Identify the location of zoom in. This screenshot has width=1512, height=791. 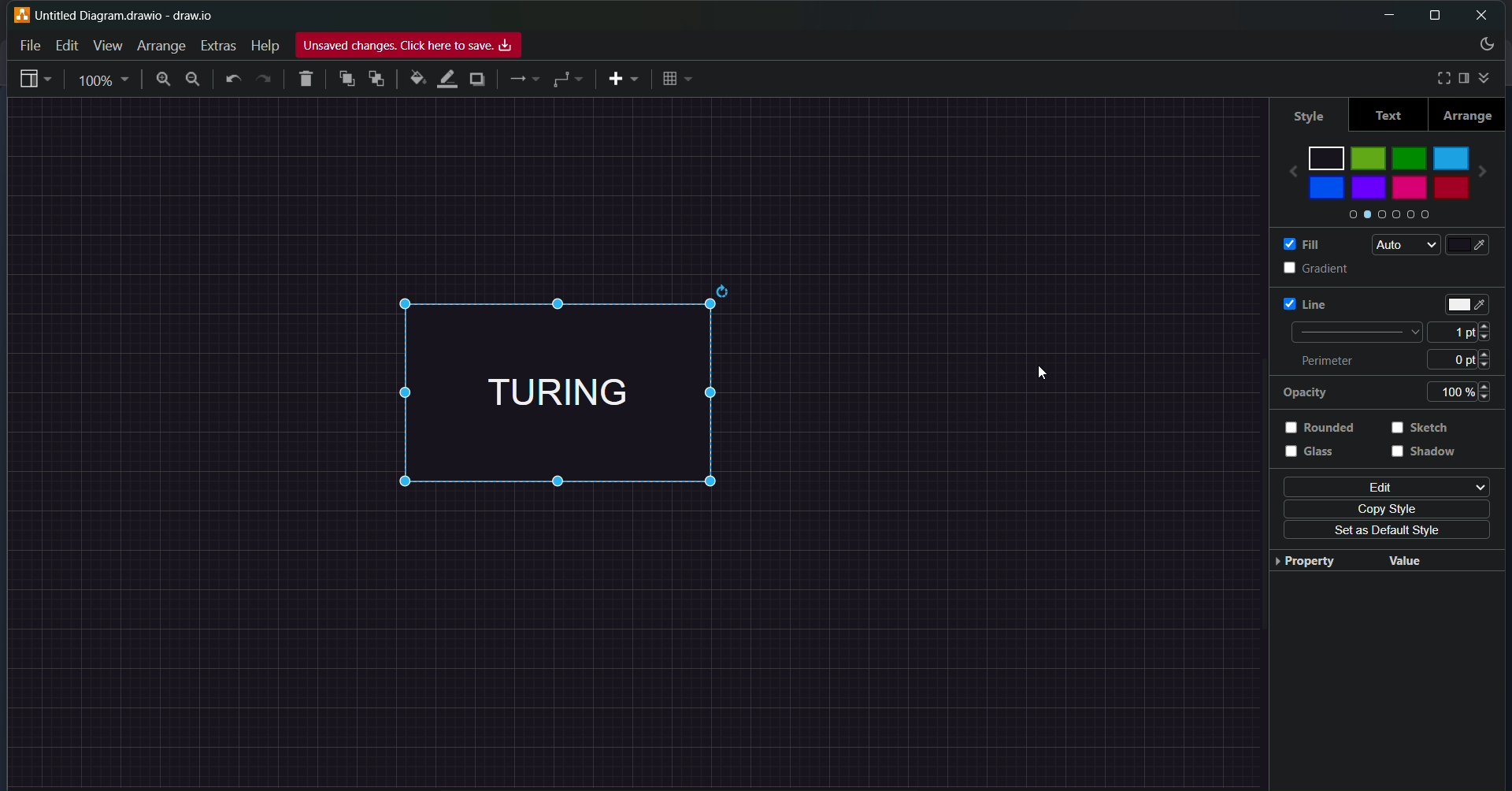
(161, 80).